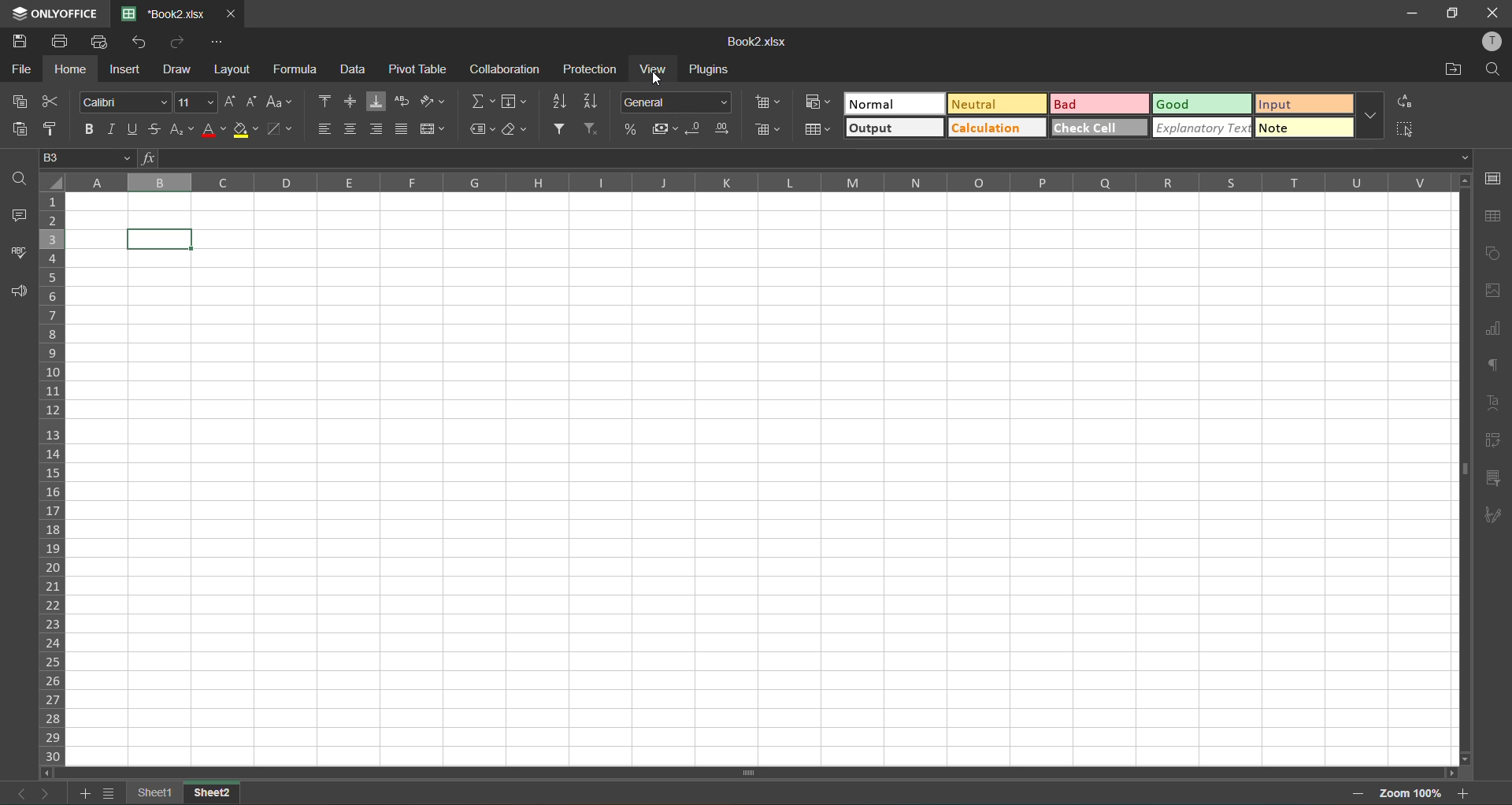  What do you see at coordinates (819, 130) in the screenshot?
I see `format as table` at bounding box center [819, 130].